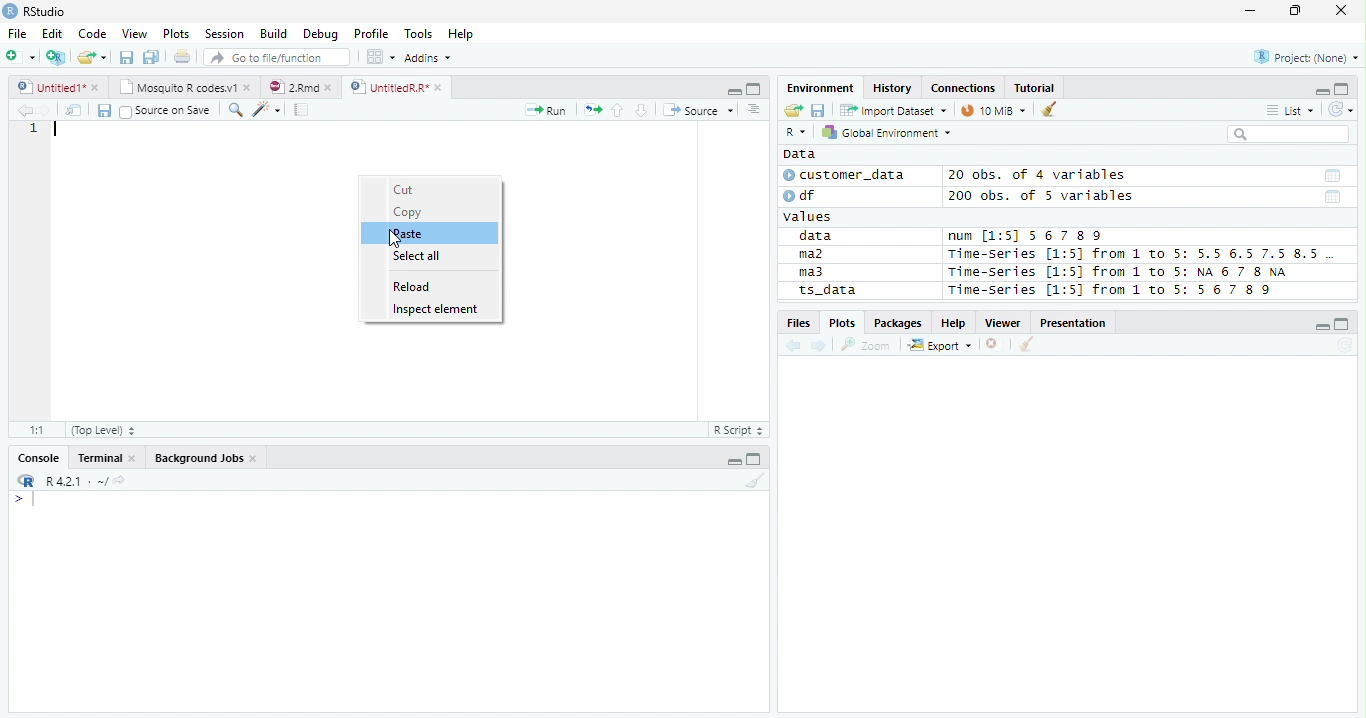  I want to click on Go to file/function, so click(274, 58).